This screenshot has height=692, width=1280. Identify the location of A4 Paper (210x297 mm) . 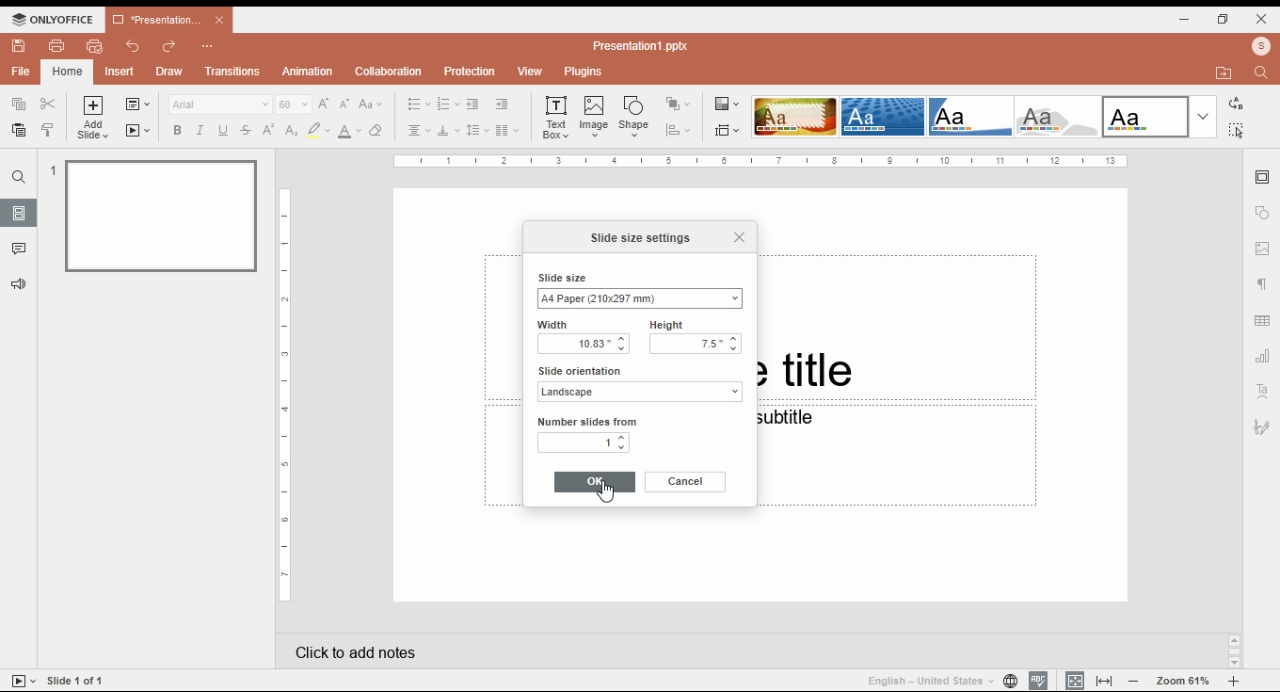
(639, 299).